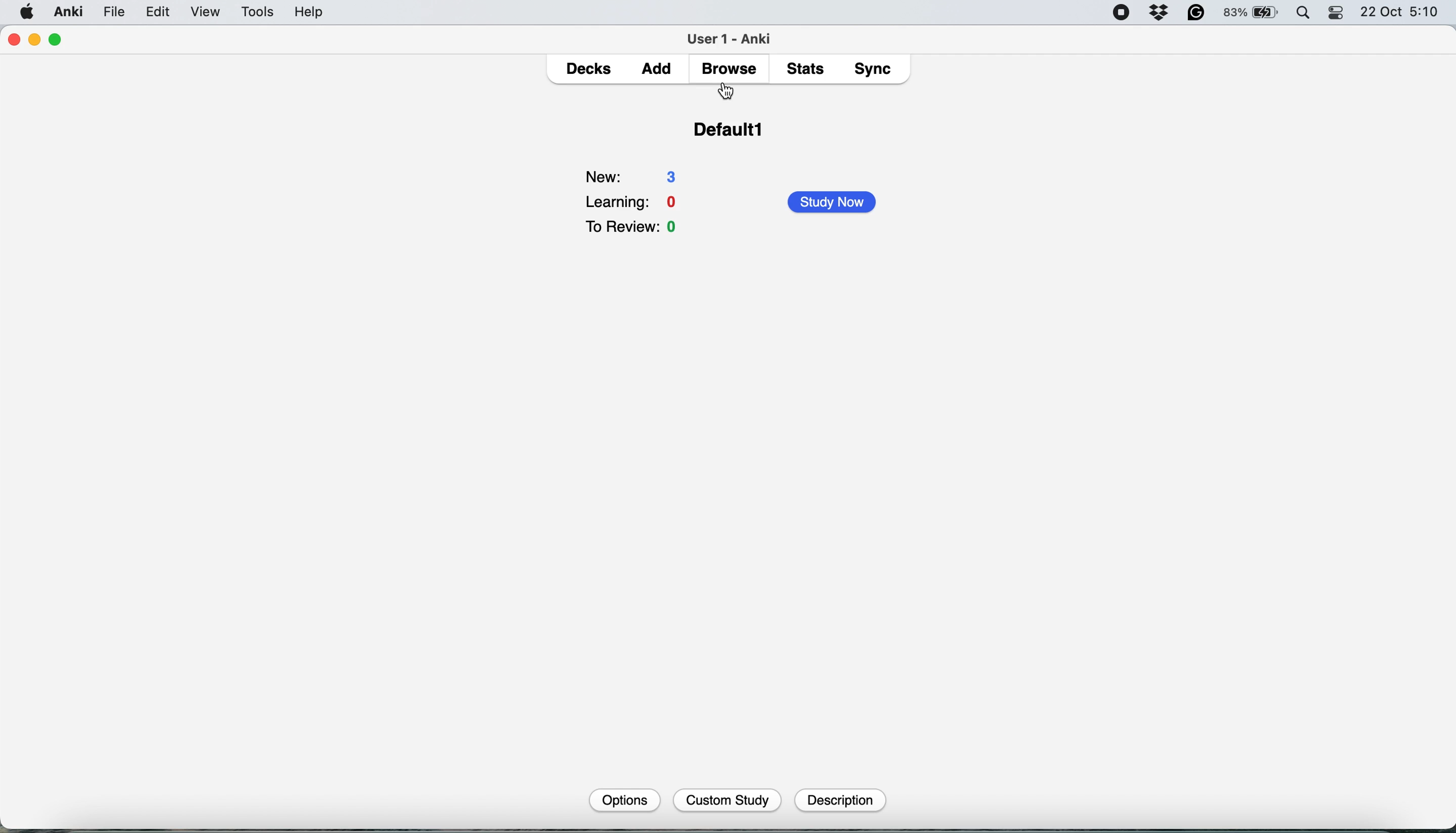 This screenshot has height=833, width=1456. Describe the element at coordinates (732, 135) in the screenshot. I see `default1` at that location.